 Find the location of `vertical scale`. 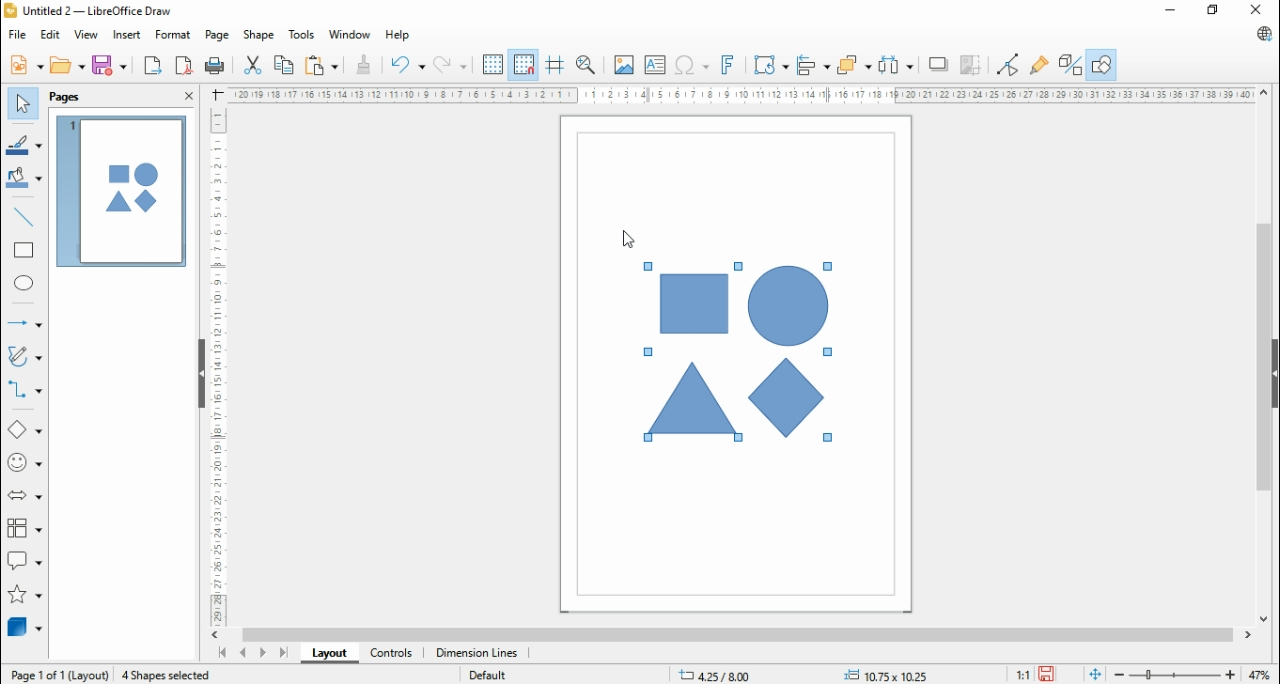

vertical scale is located at coordinates (215, 365).